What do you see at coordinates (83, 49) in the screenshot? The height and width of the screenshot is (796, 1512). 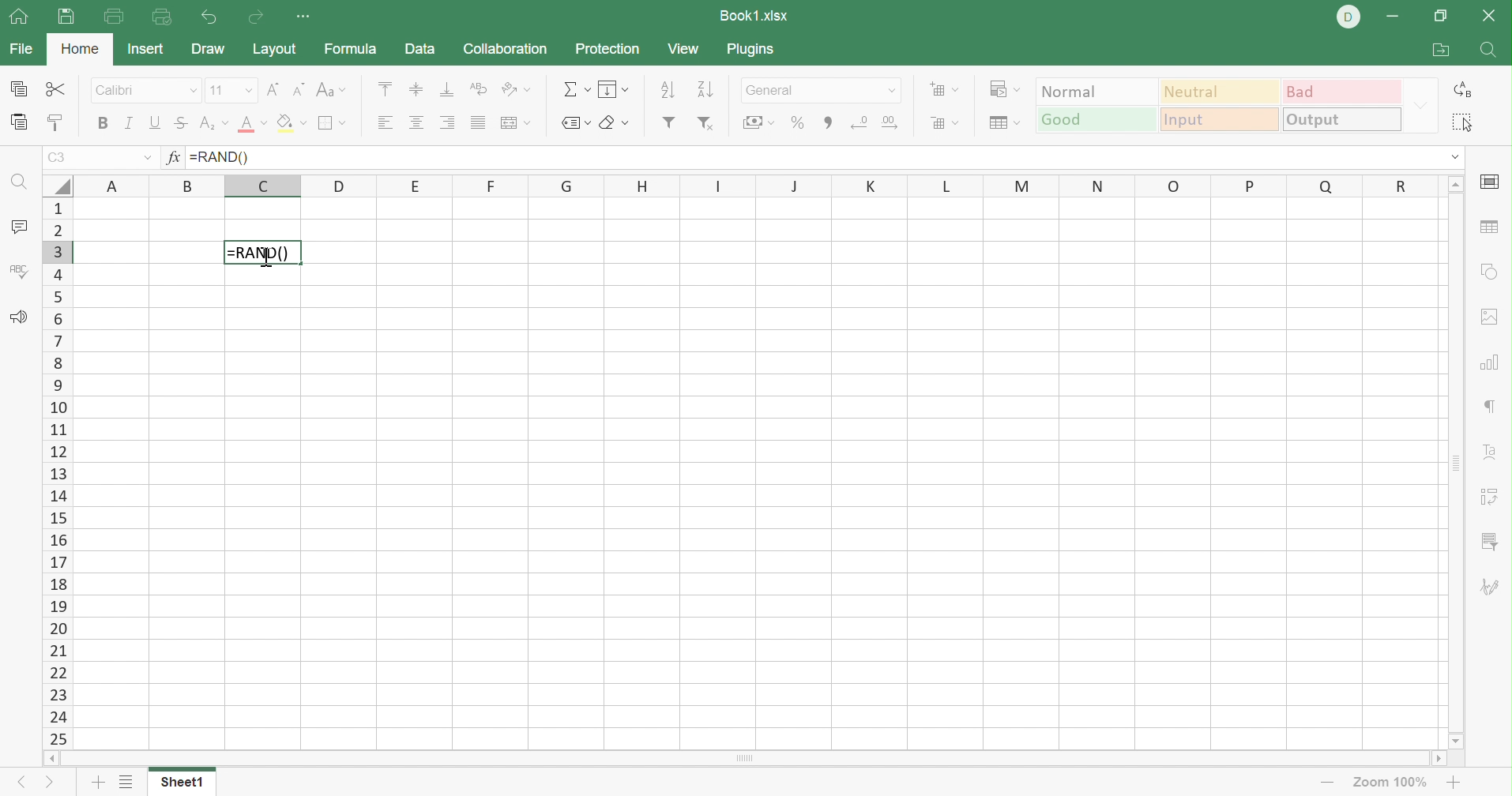 I see `Home` at bounding box center [83, 49].